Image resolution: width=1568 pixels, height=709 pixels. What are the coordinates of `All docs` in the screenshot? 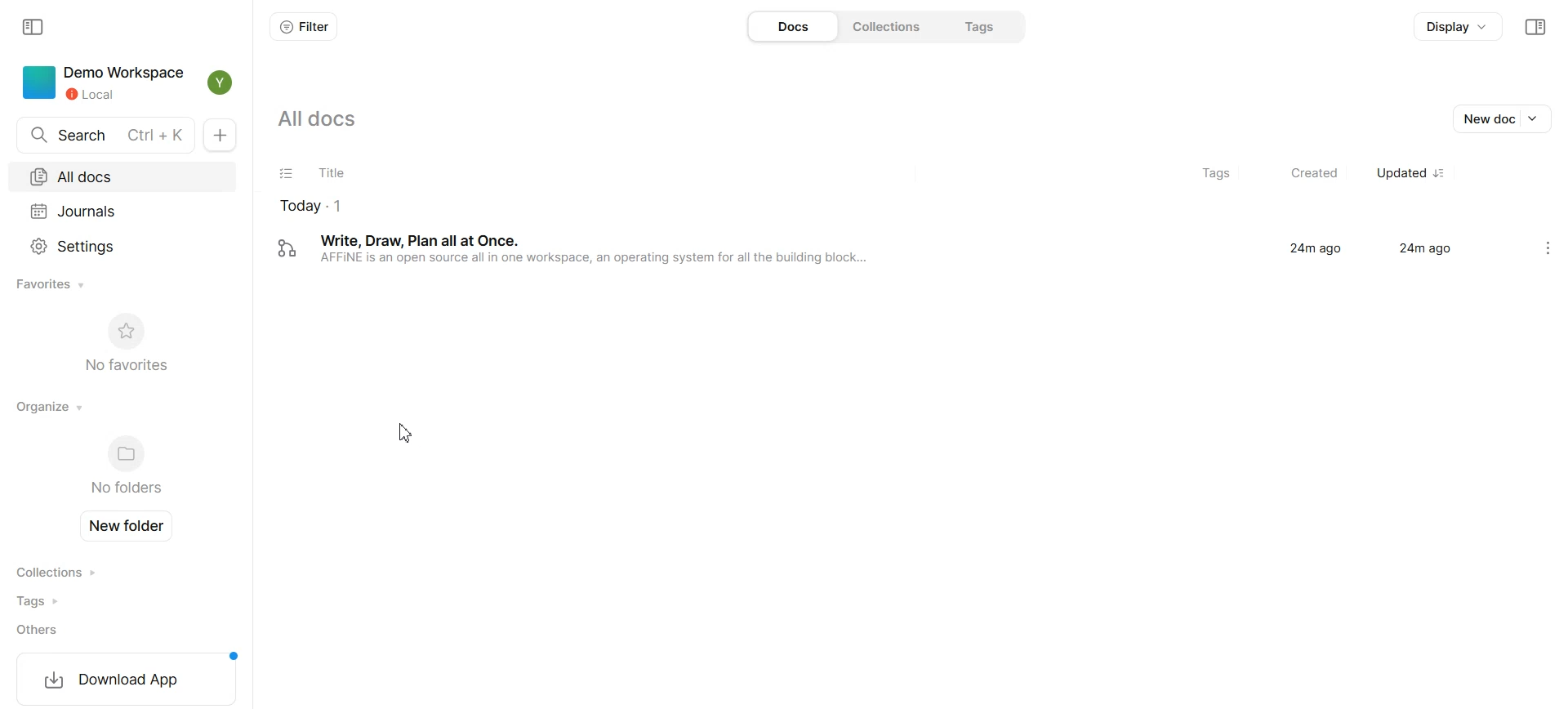 It's located at (127, 175).